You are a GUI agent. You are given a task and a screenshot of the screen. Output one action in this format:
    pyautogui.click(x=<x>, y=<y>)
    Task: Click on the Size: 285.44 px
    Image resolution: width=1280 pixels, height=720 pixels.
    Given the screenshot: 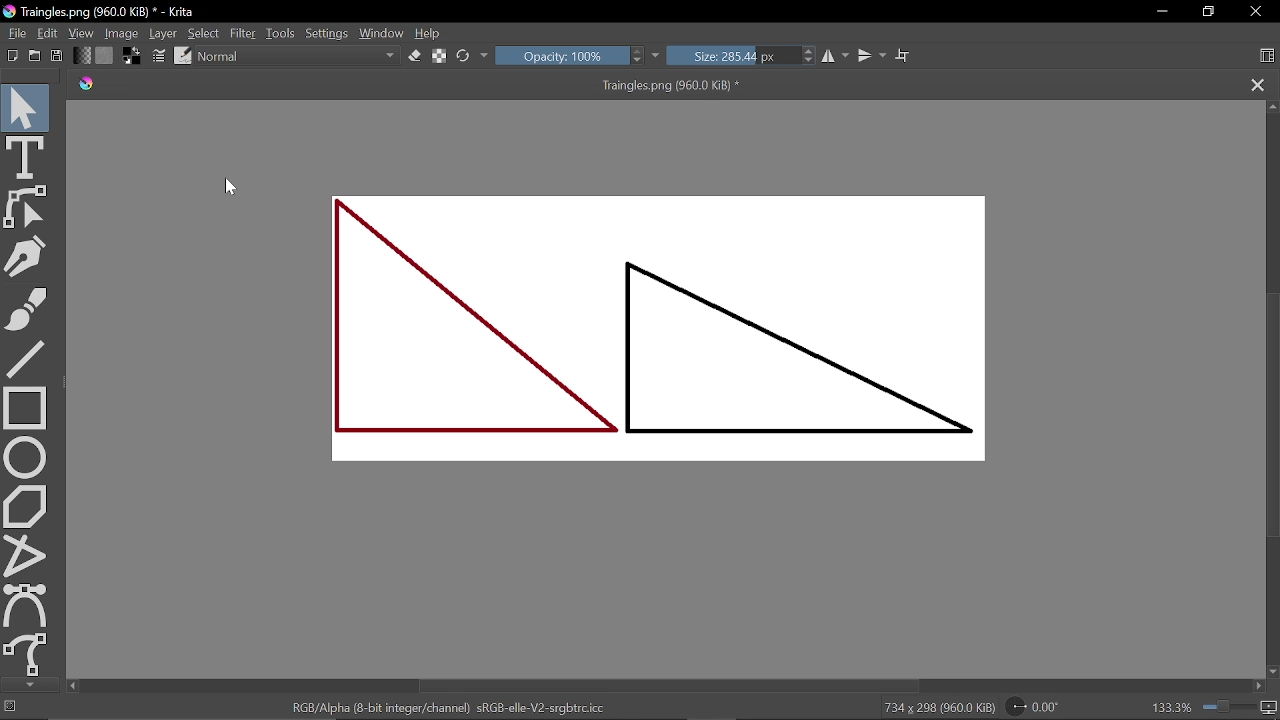 What is the action you would take?
    pyautogui.click(x=733, y=55)
    